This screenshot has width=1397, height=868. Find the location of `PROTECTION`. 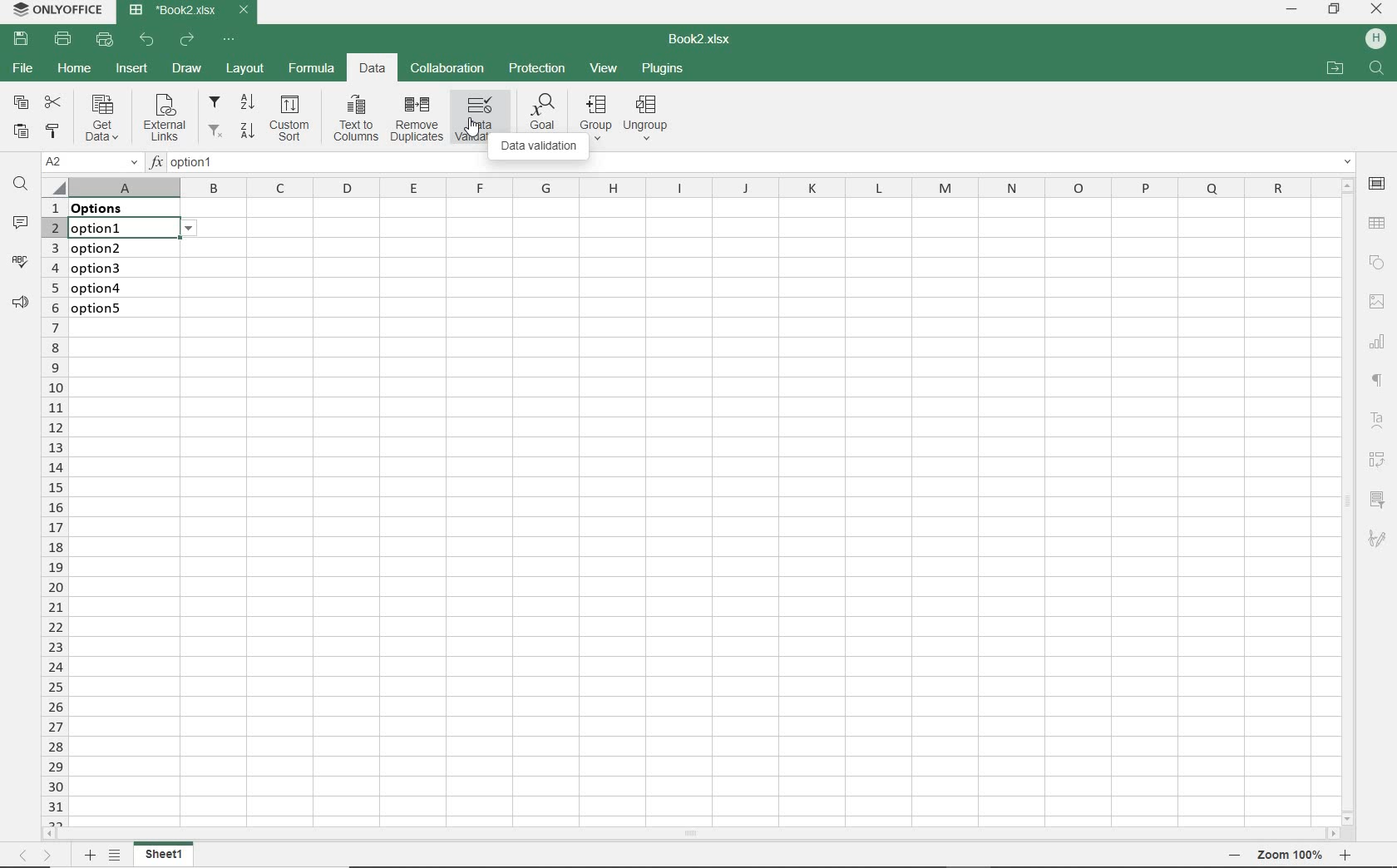

PROTECTION is located at coordinates (537, 69).